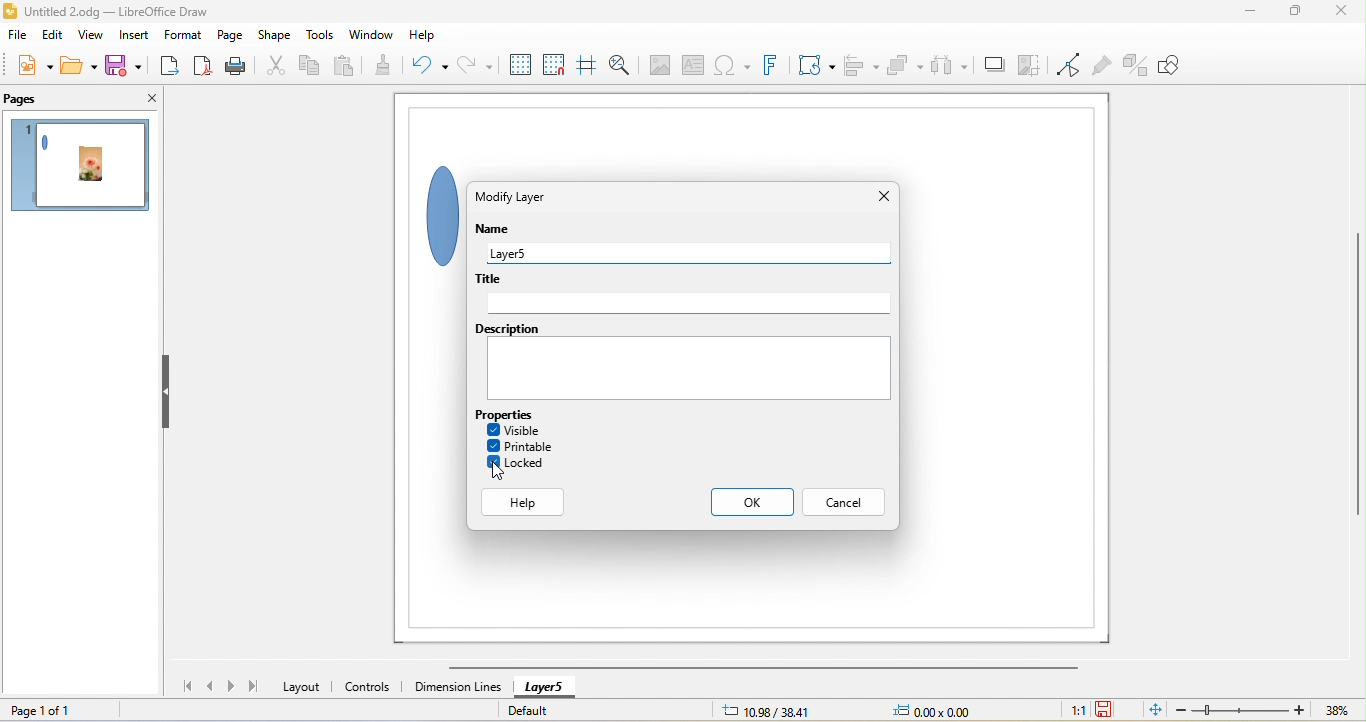 Image resolution: width=1366 pixels, height=722 pixels. I want to click on clone formatting, so click(391, 66).